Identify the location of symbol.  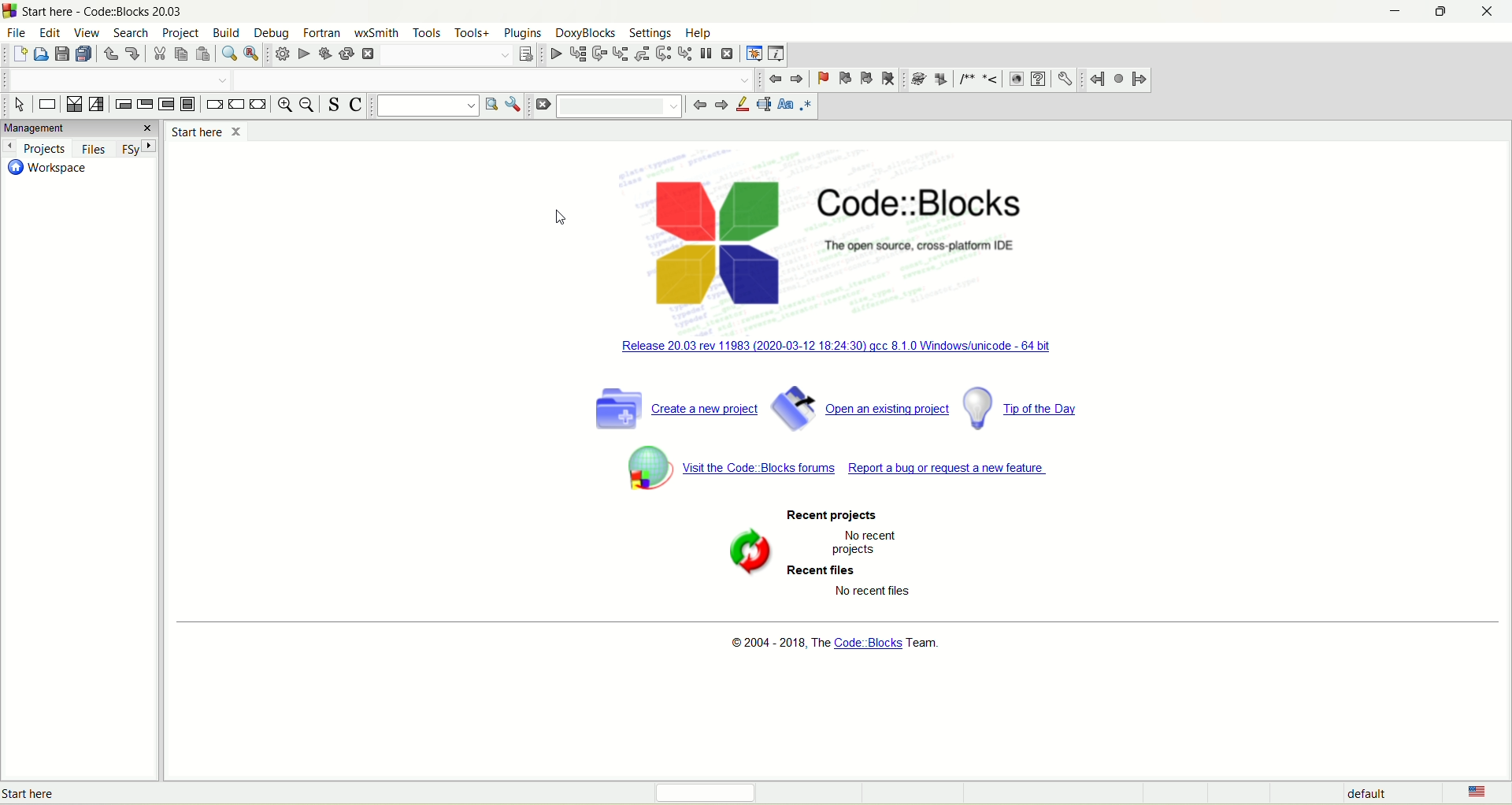
(743, 558).